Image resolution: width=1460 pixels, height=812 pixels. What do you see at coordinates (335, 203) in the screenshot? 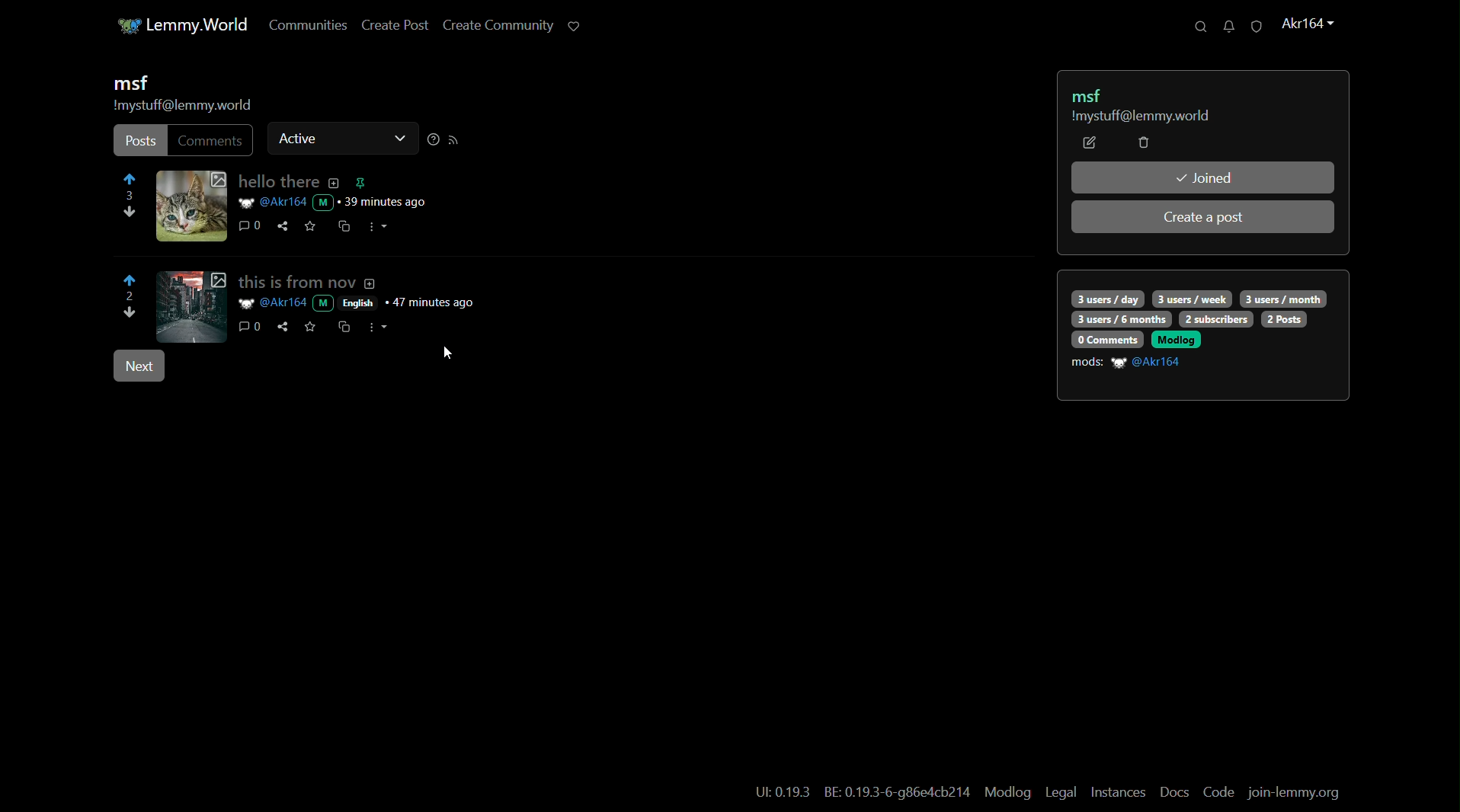
I see `post details` at bounding box center [335, 203].